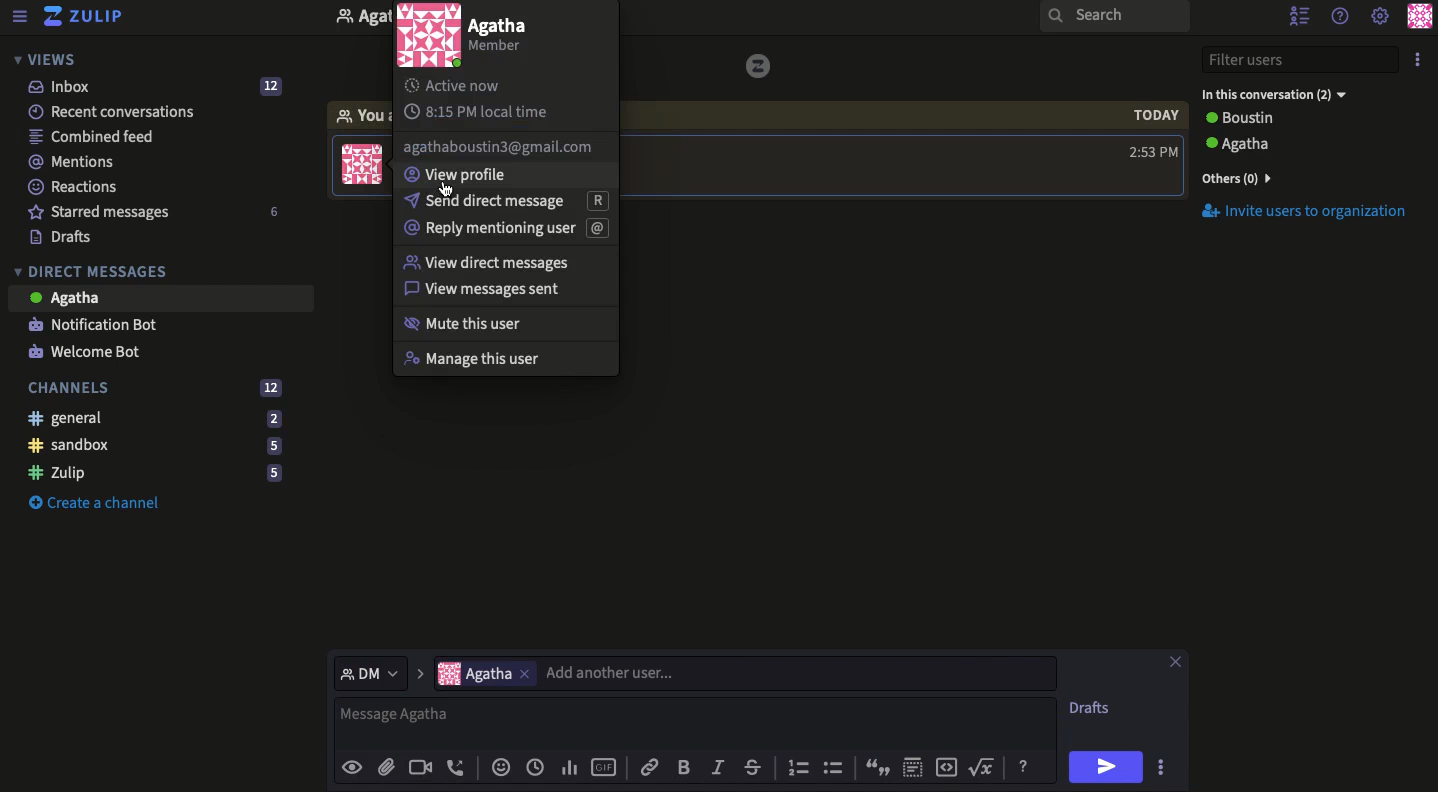  I want to click on User 2, so click(1273, 94).